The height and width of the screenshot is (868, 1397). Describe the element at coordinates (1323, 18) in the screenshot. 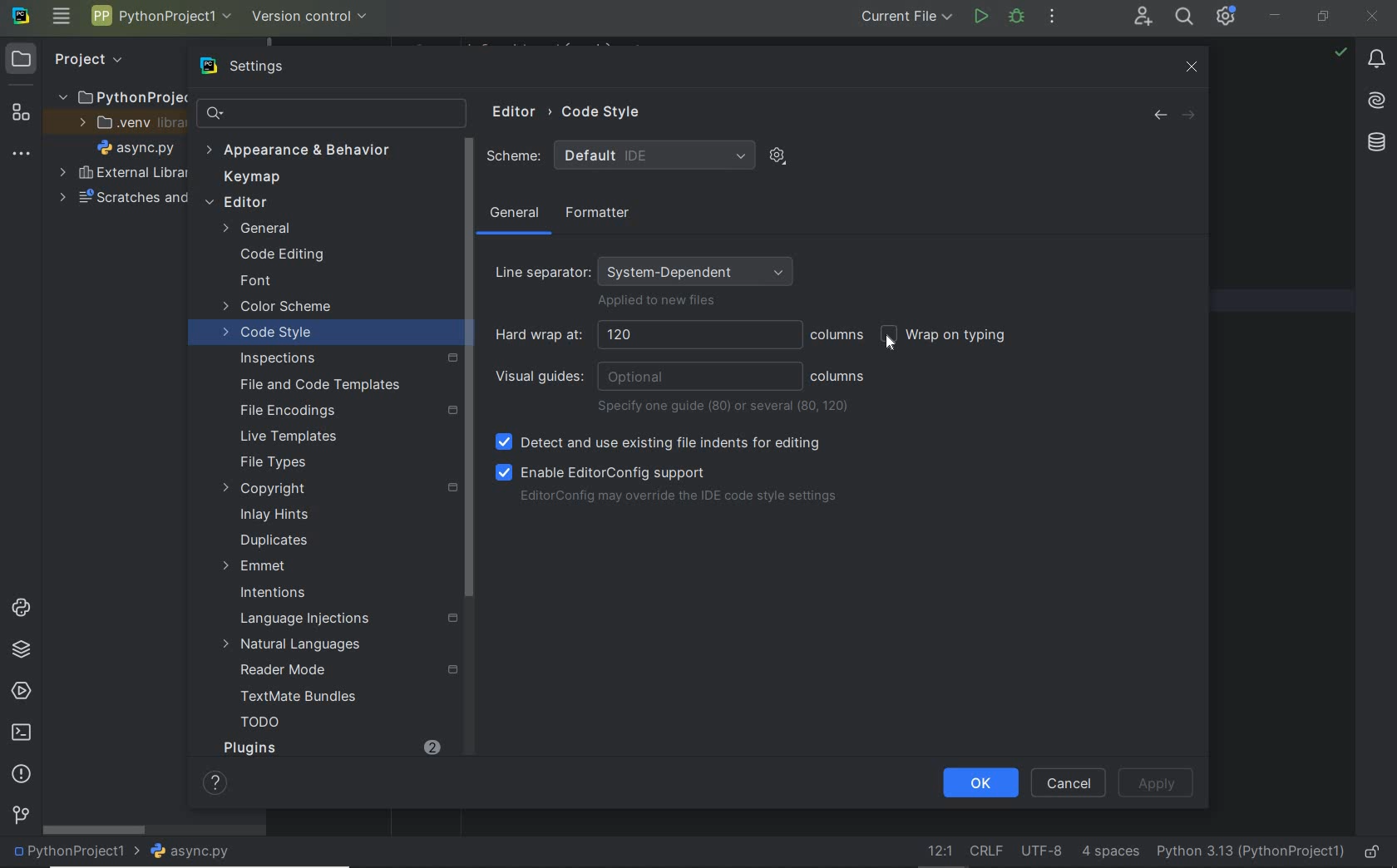

I see `RESTORE DOWN` at that location.